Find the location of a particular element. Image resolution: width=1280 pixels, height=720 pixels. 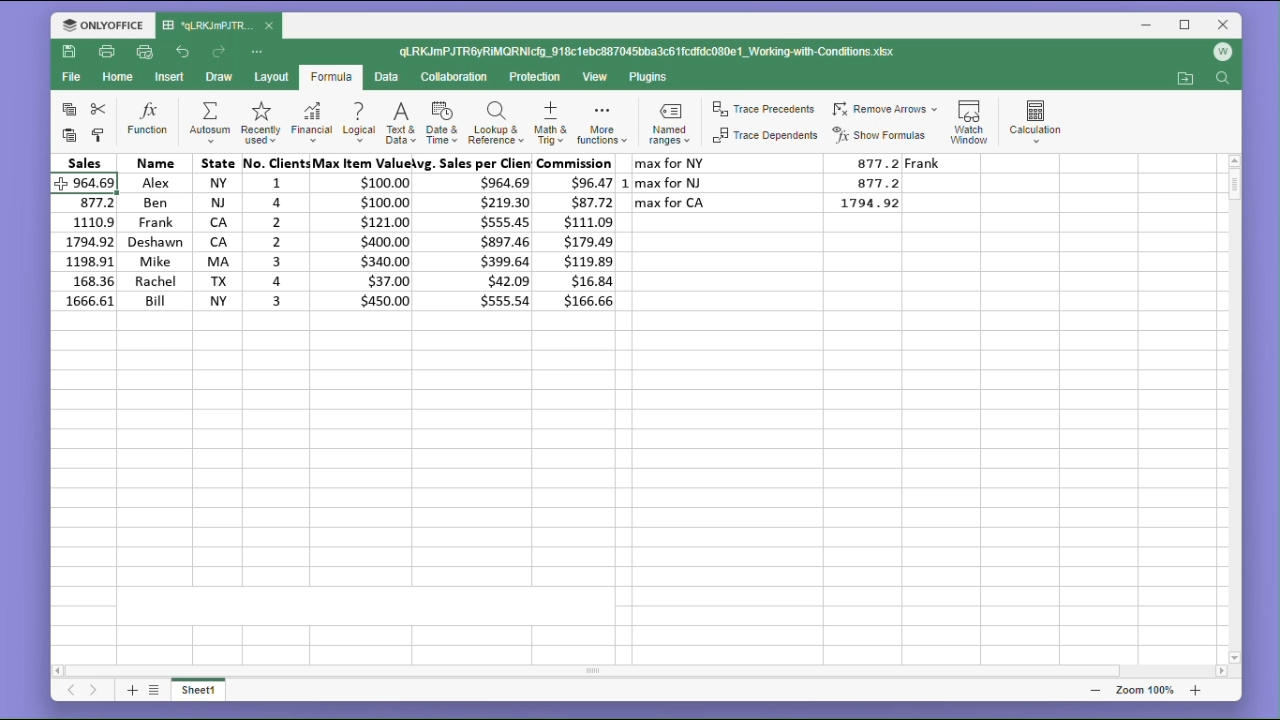

print file is located at coordinates (108, 53).